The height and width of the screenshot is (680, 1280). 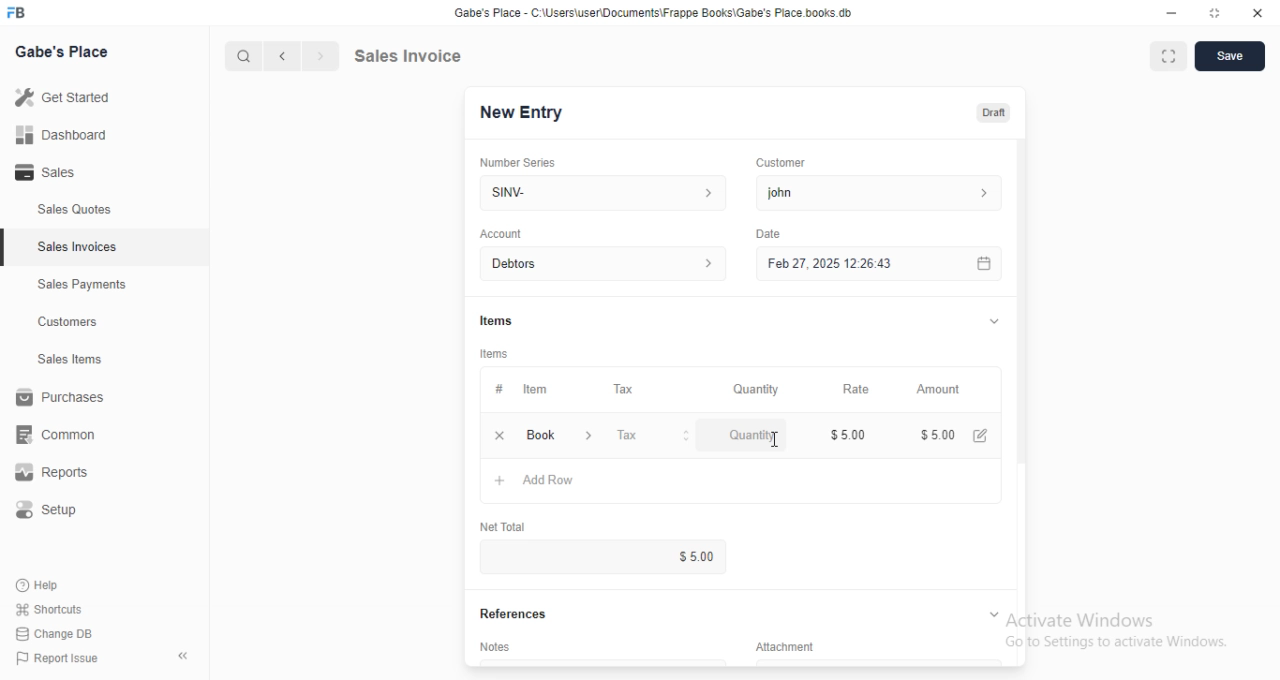 What do you see at coordinates (599, 263) in the screenshot?
I see `Debtors >` at bounding box center [599, 263].